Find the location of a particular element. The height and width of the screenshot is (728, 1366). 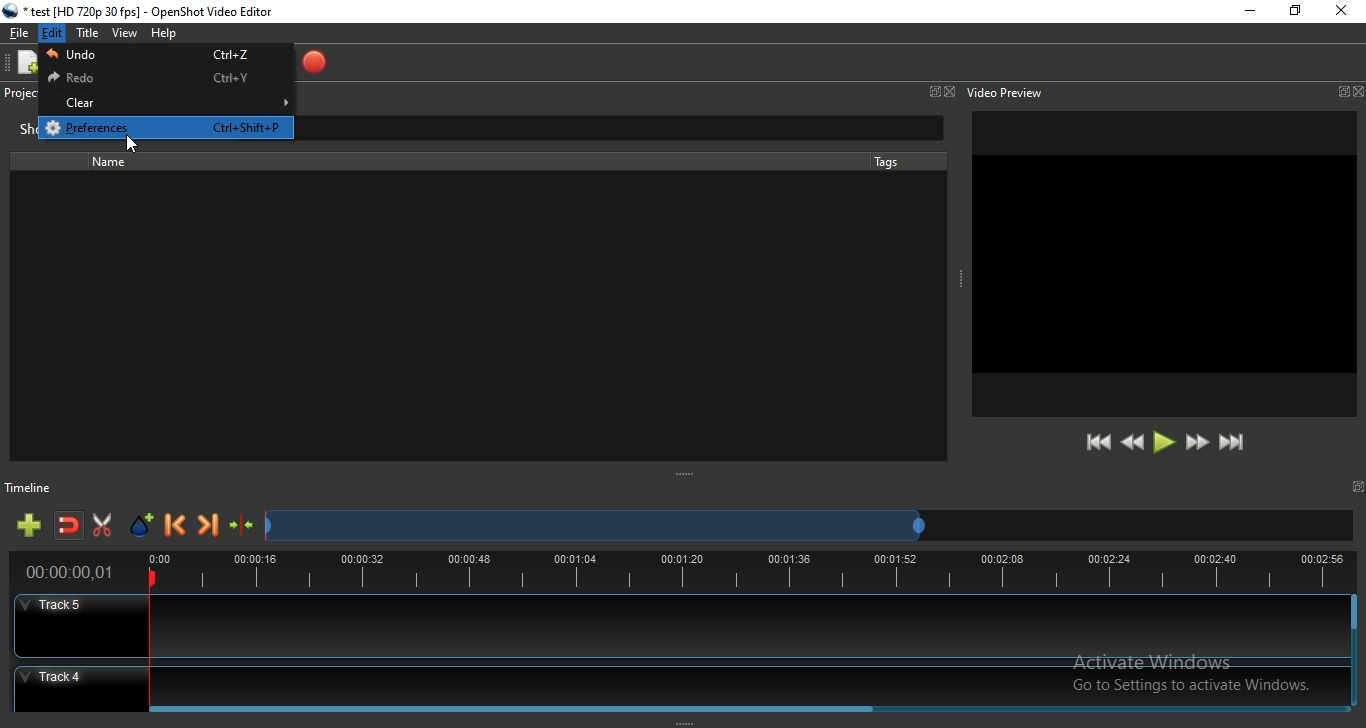

Edit  is located at coordinates (53, 35).